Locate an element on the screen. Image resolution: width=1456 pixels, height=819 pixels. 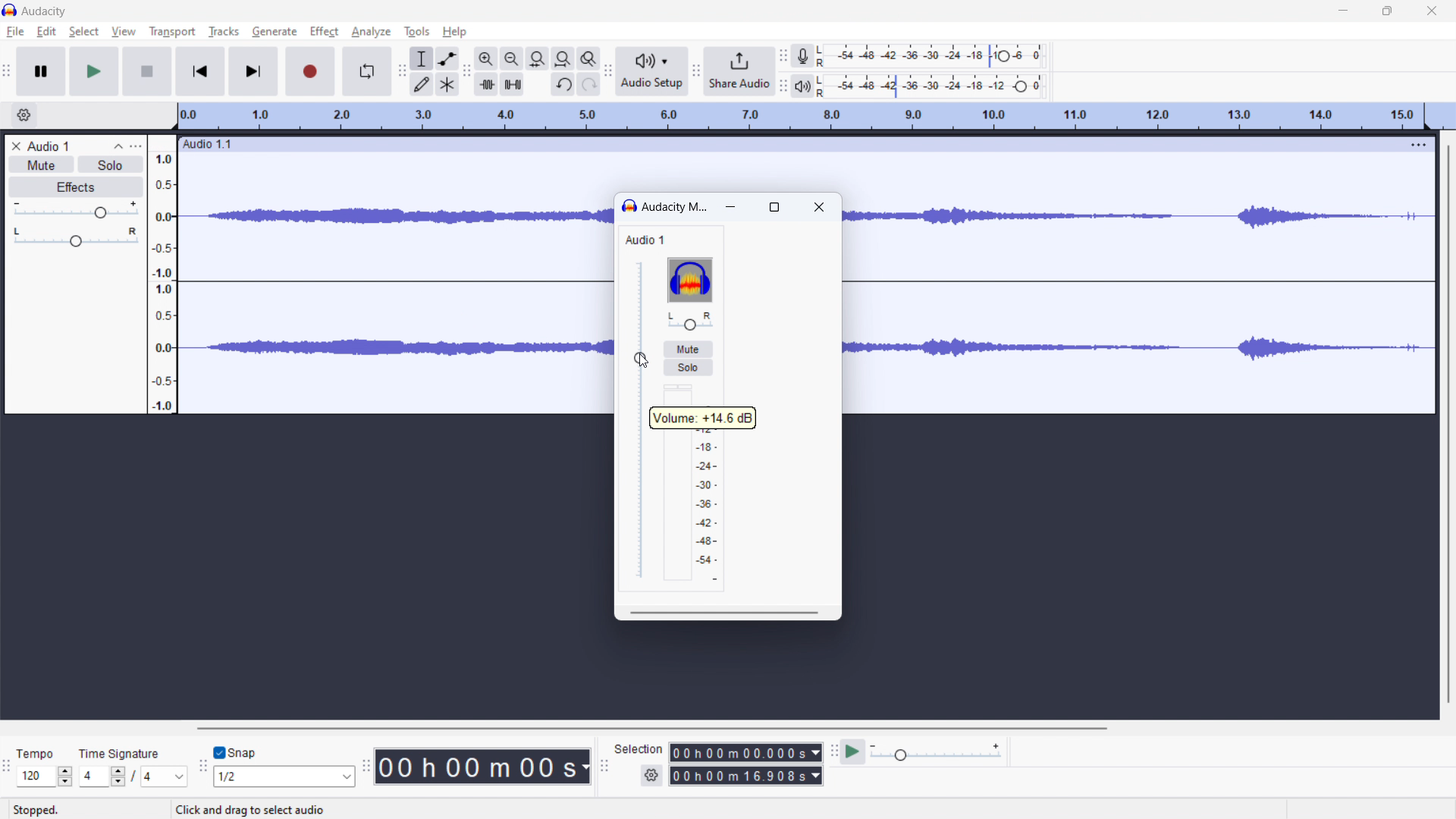
pan: center is located at coordinates (77, 237).